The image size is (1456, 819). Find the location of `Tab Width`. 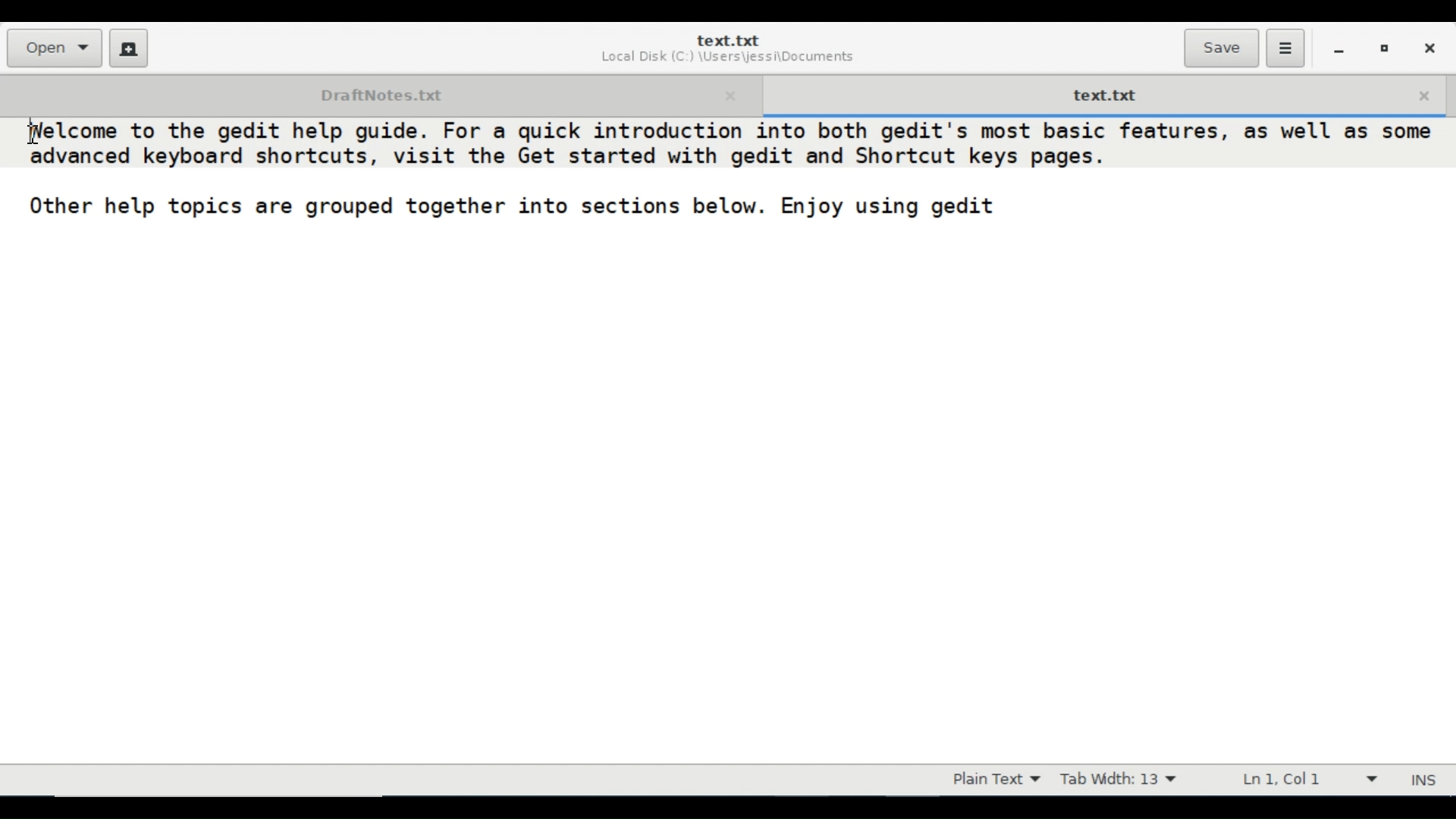

Tab Width is located at coordinates (1118, 780).